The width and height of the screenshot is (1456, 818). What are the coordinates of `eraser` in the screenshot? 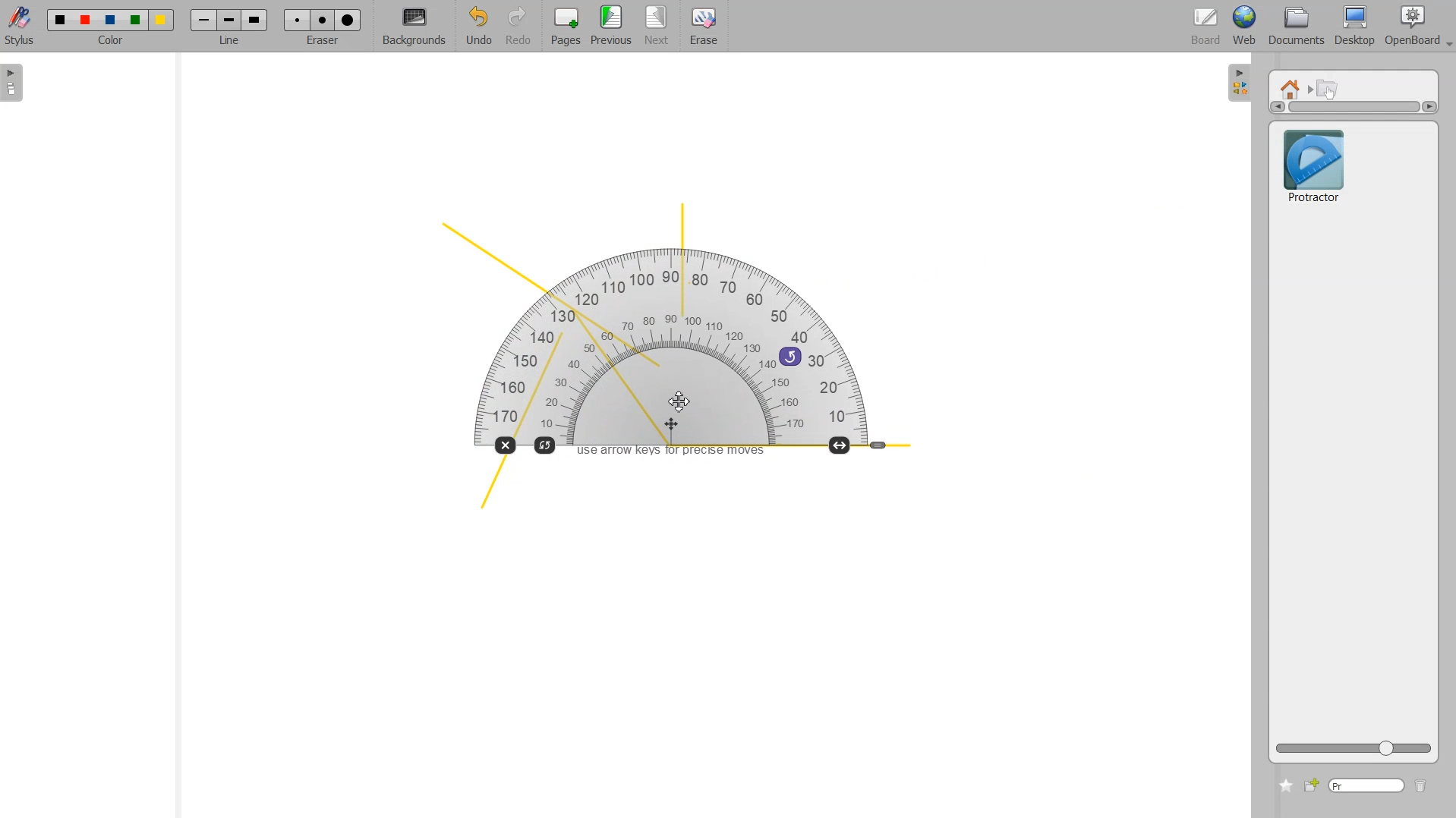 It's located at (320, 45).